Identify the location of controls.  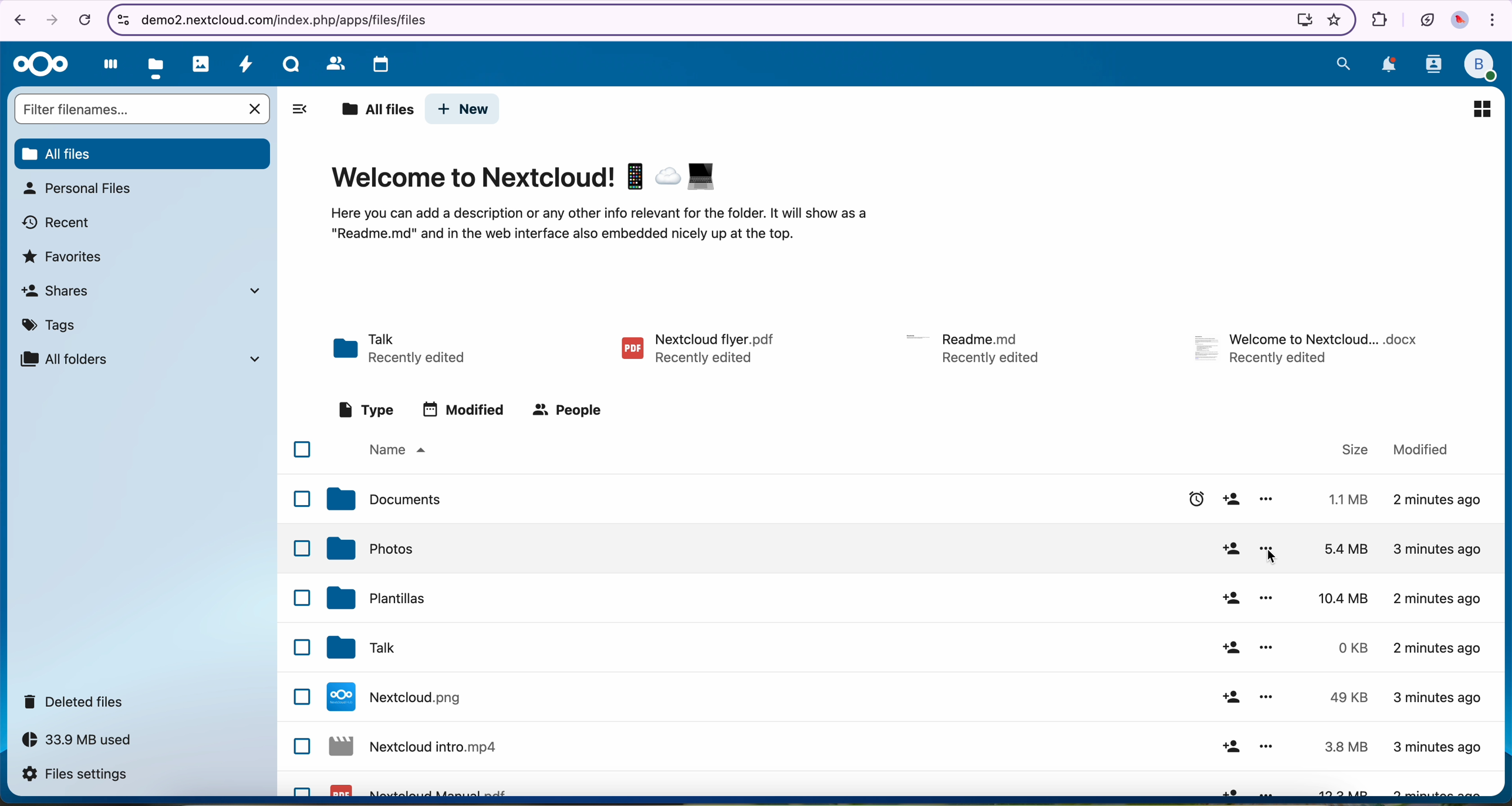
(121, 18).